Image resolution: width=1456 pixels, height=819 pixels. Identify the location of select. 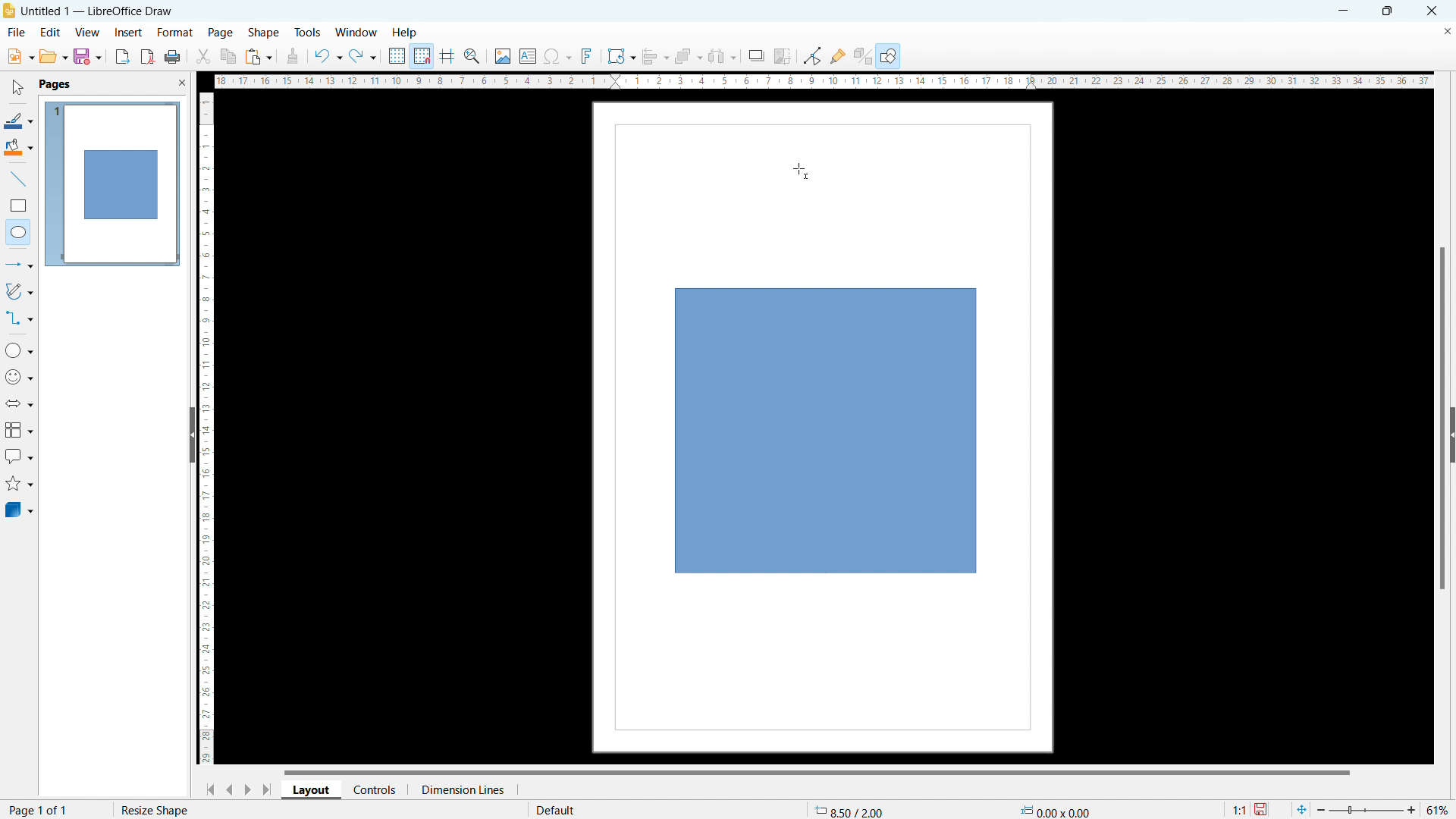
(16, 88).